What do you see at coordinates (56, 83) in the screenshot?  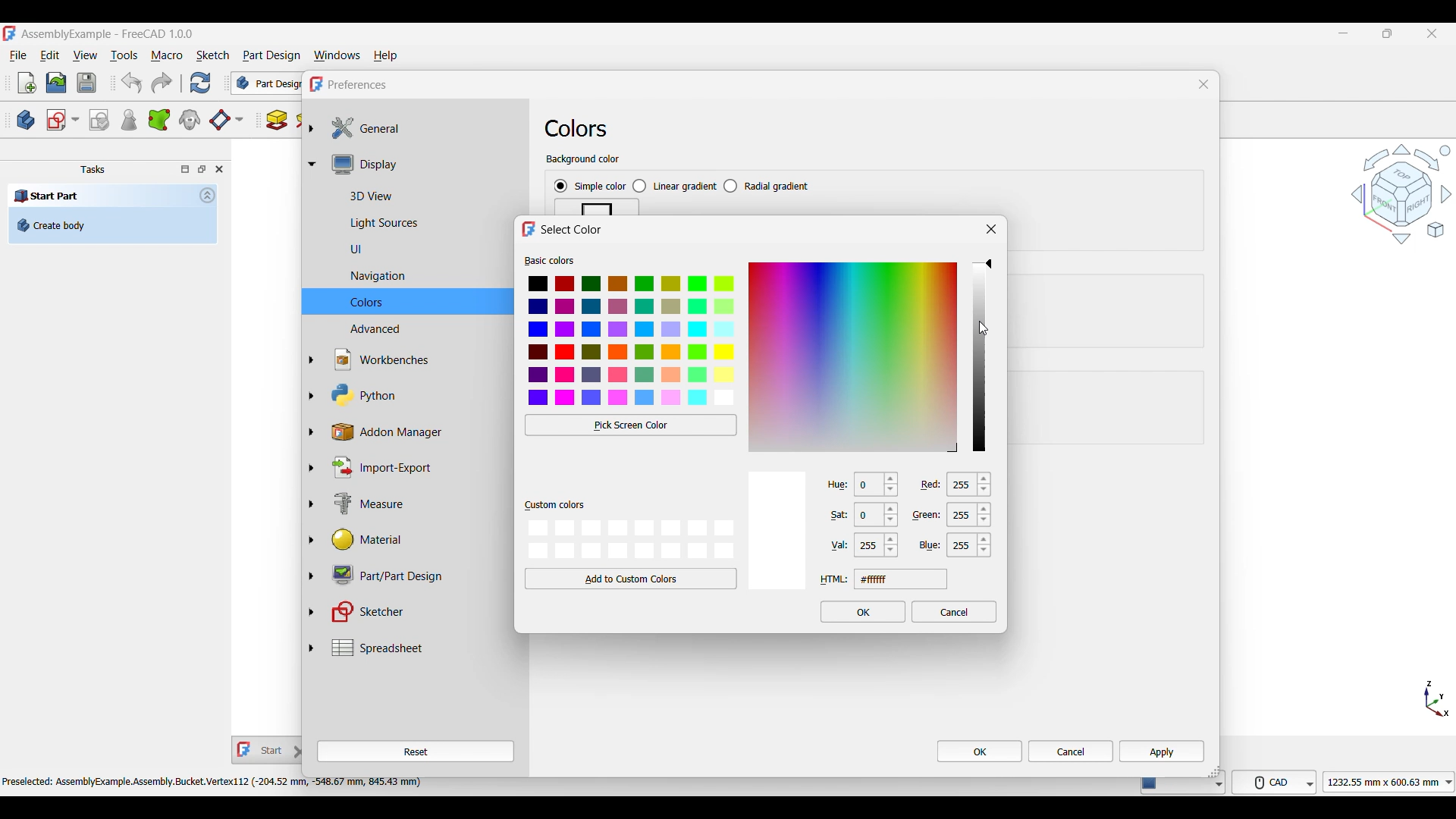 I see `Open` at bounding box center [56, 83].